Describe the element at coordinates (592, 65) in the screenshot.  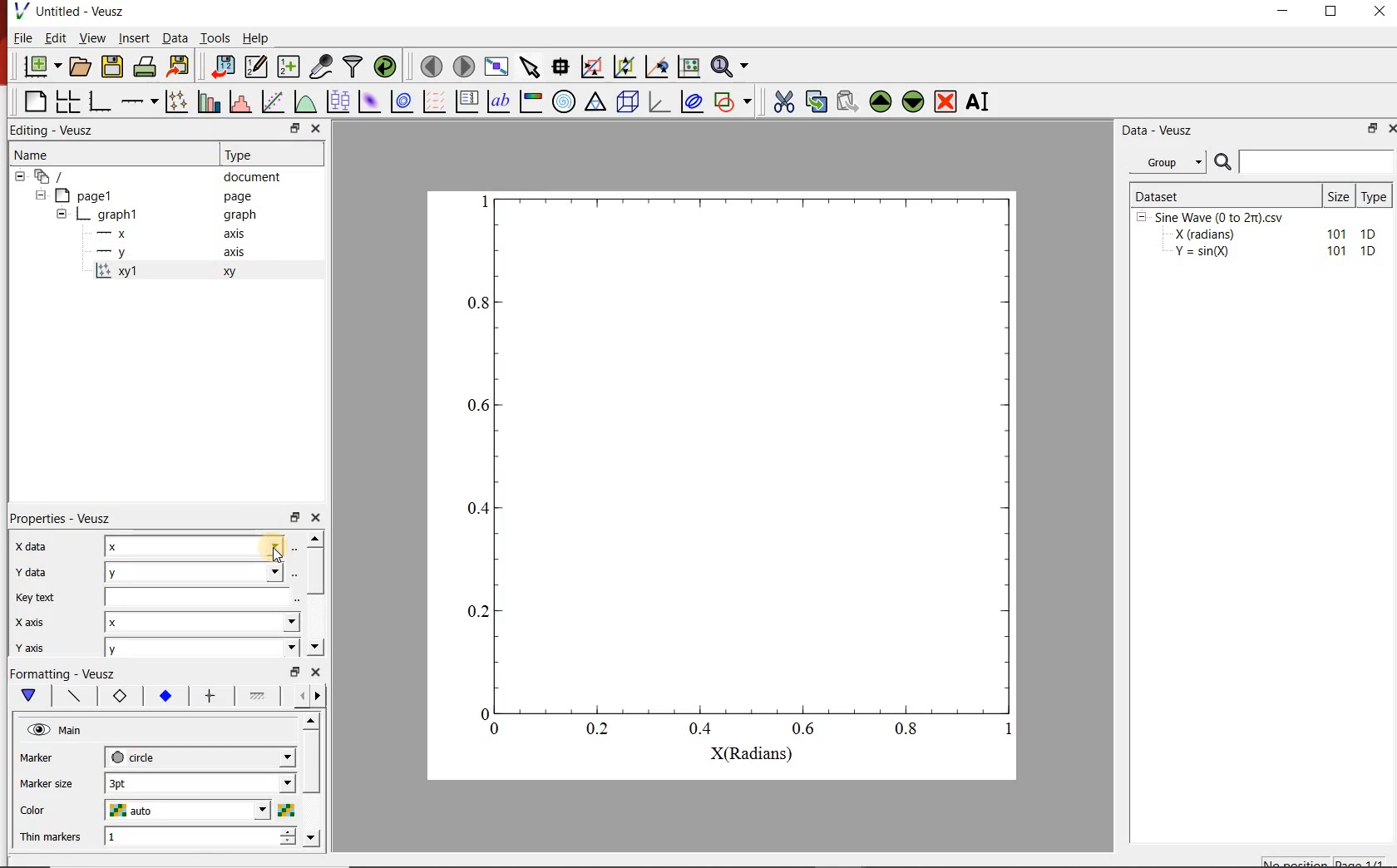
I see `click or draw rectangle` at that location.